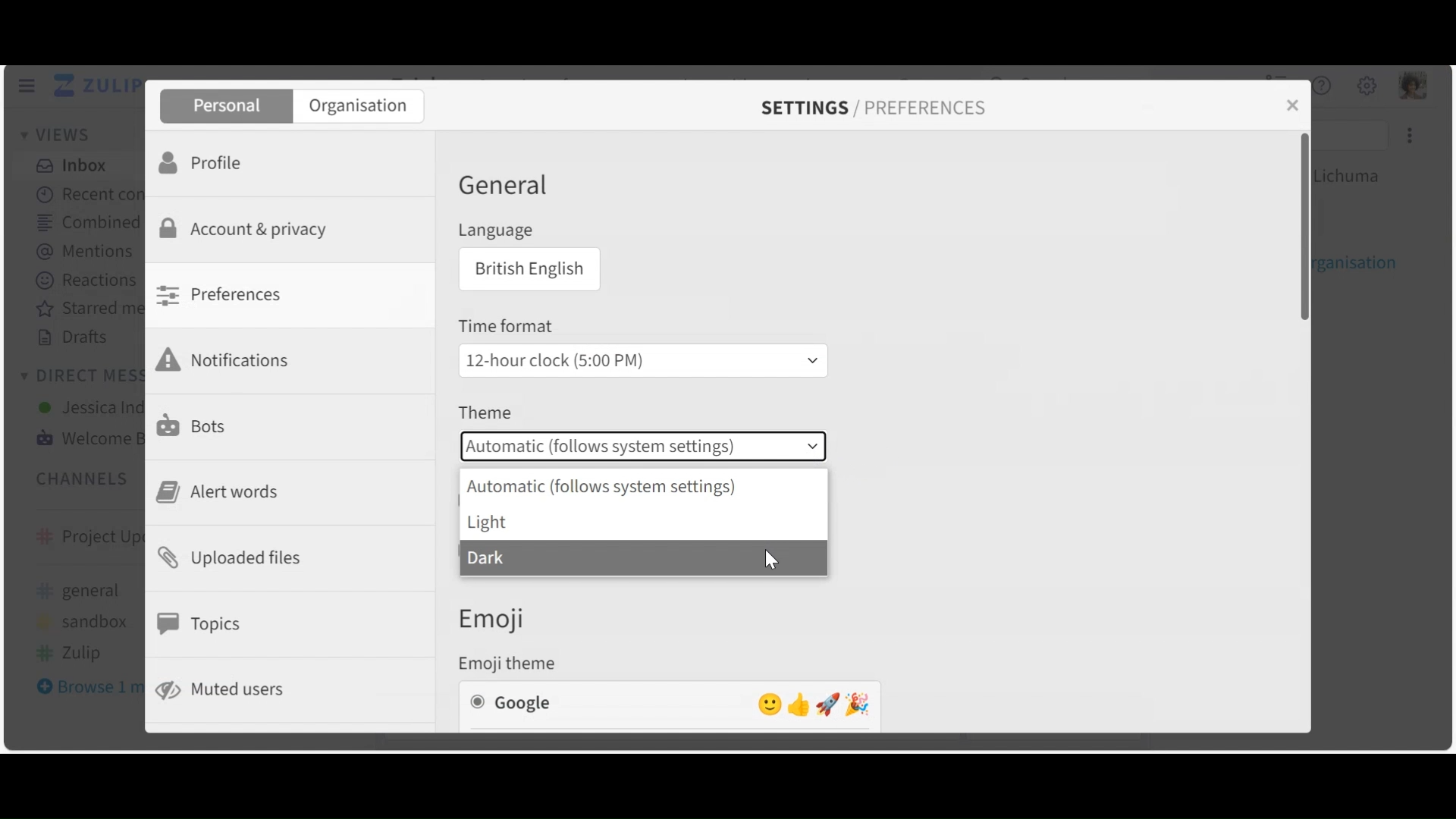 This screenshot has width=1456, height=819. Describe the element at coordinates (224, 294) in the screenshot. I see `Preferences` at that location.